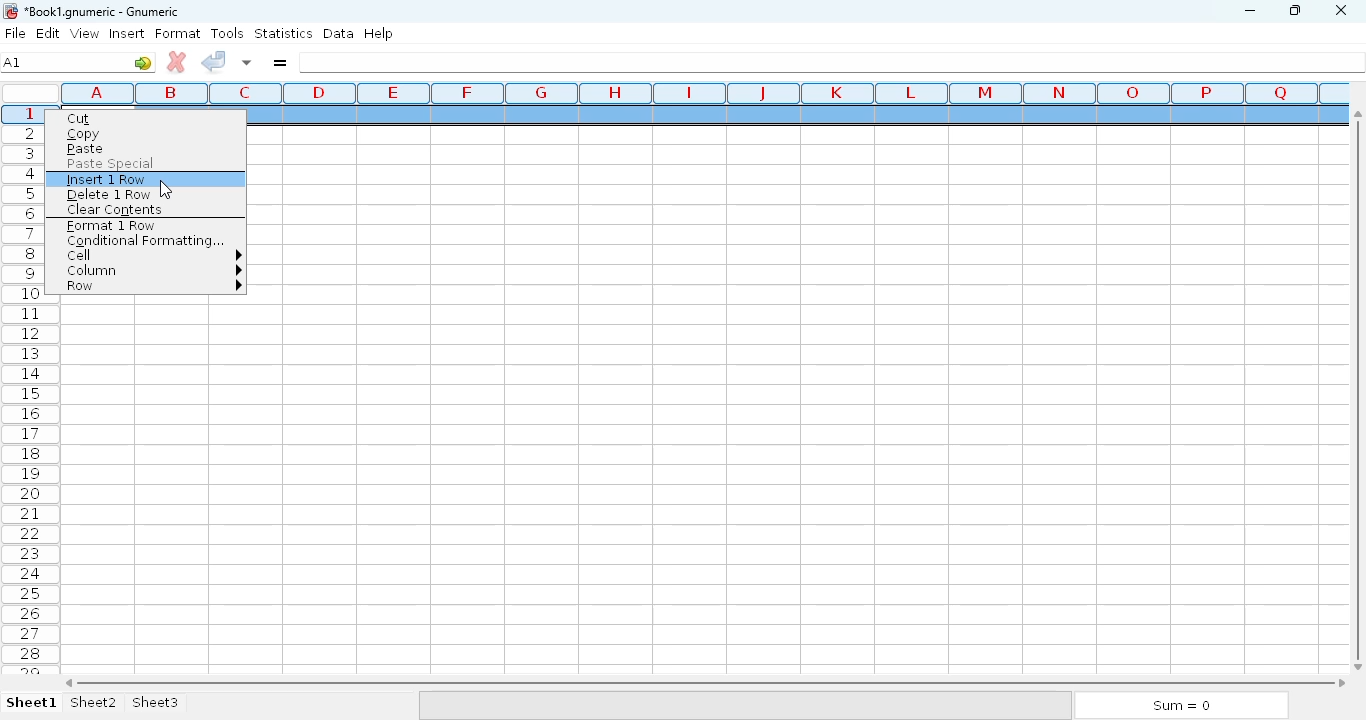  What do you see at coordinates (213, 60) in the screenshot?
I see `accept change` at bounding box center [213, 60].